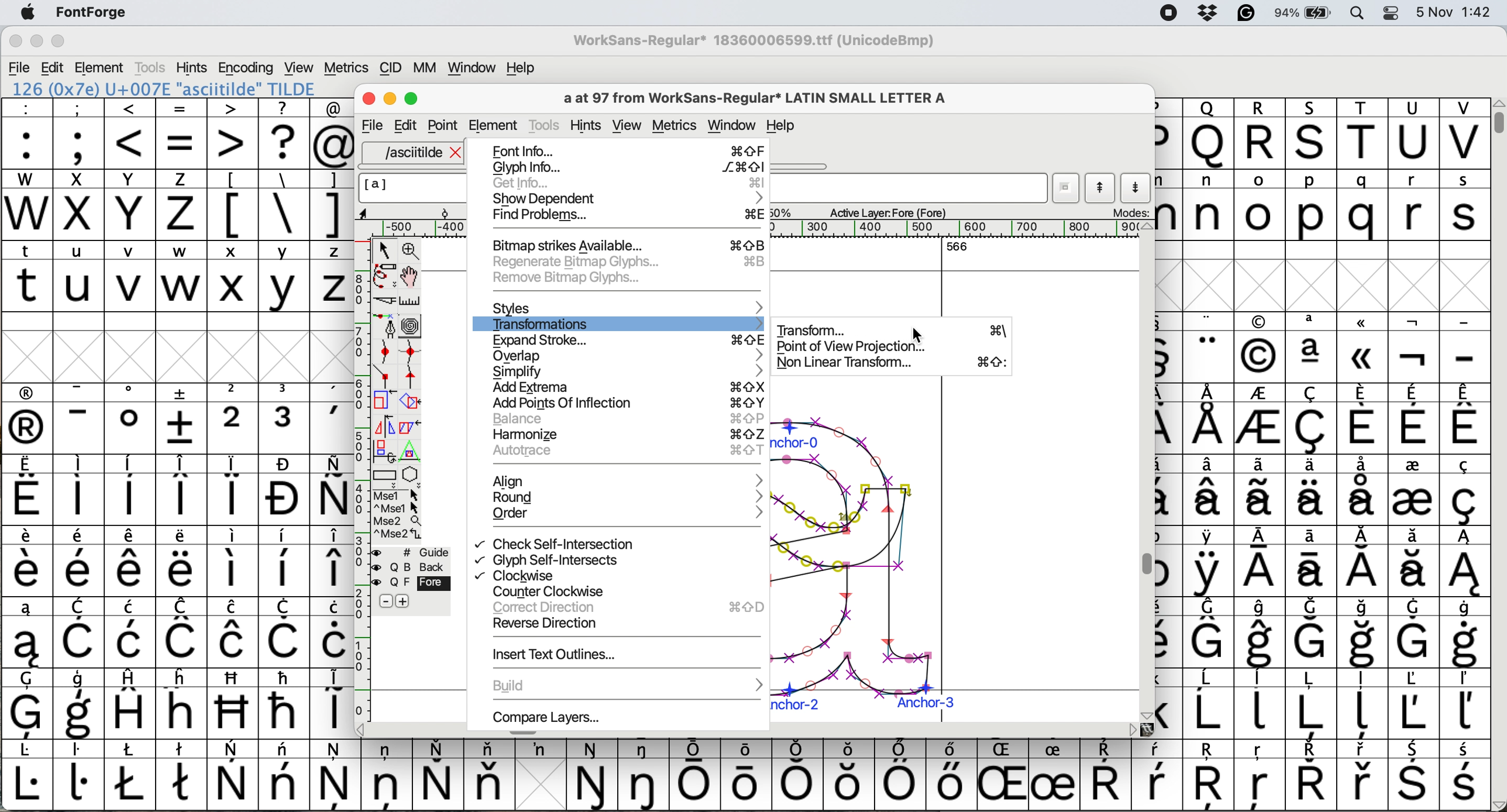  Describe the element at coordinates (390, 188) in the screenshot. I see `glyph name` at that location.